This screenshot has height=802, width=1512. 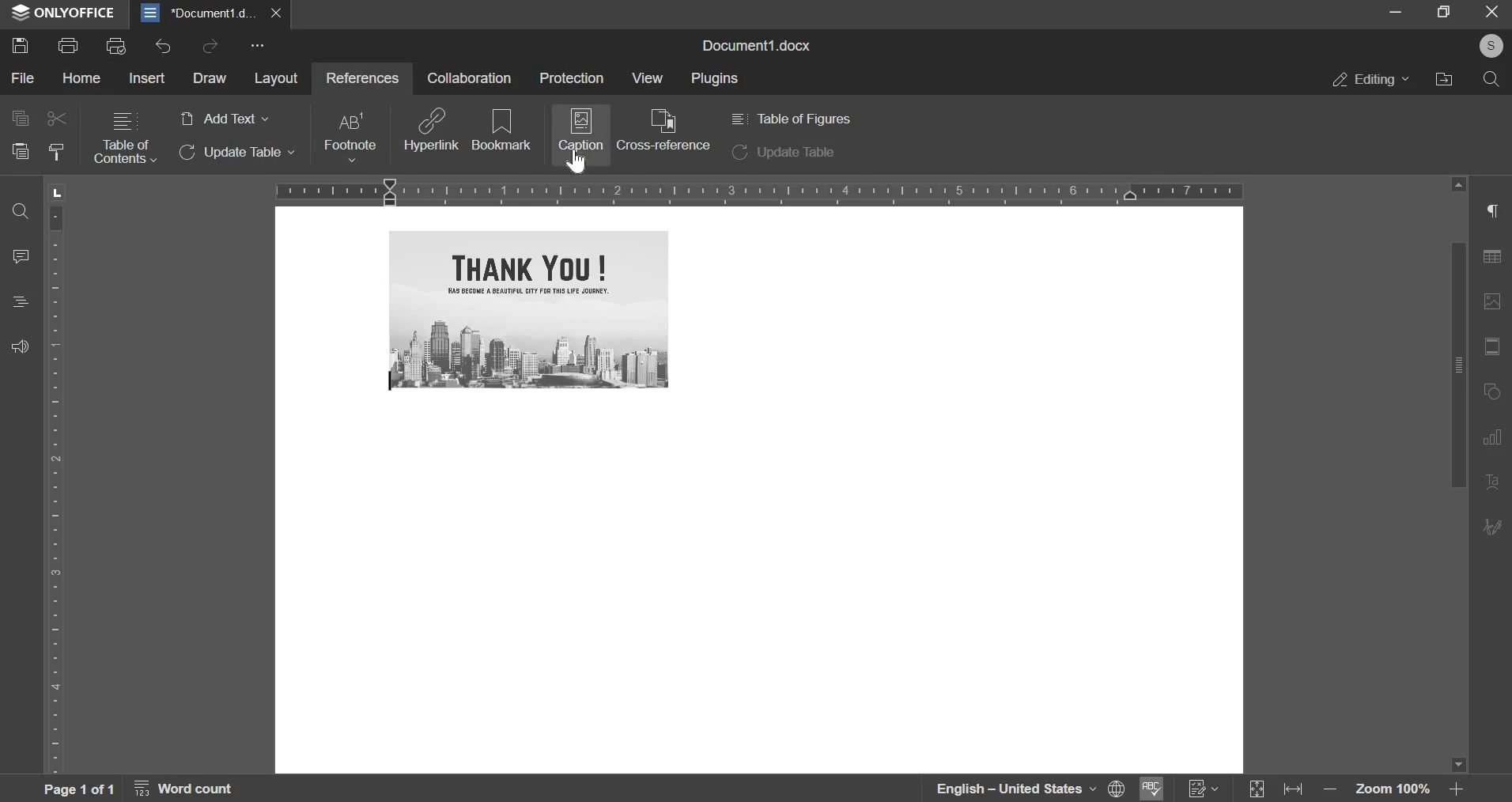 I want to click on more options, so click(x=260, y=47).